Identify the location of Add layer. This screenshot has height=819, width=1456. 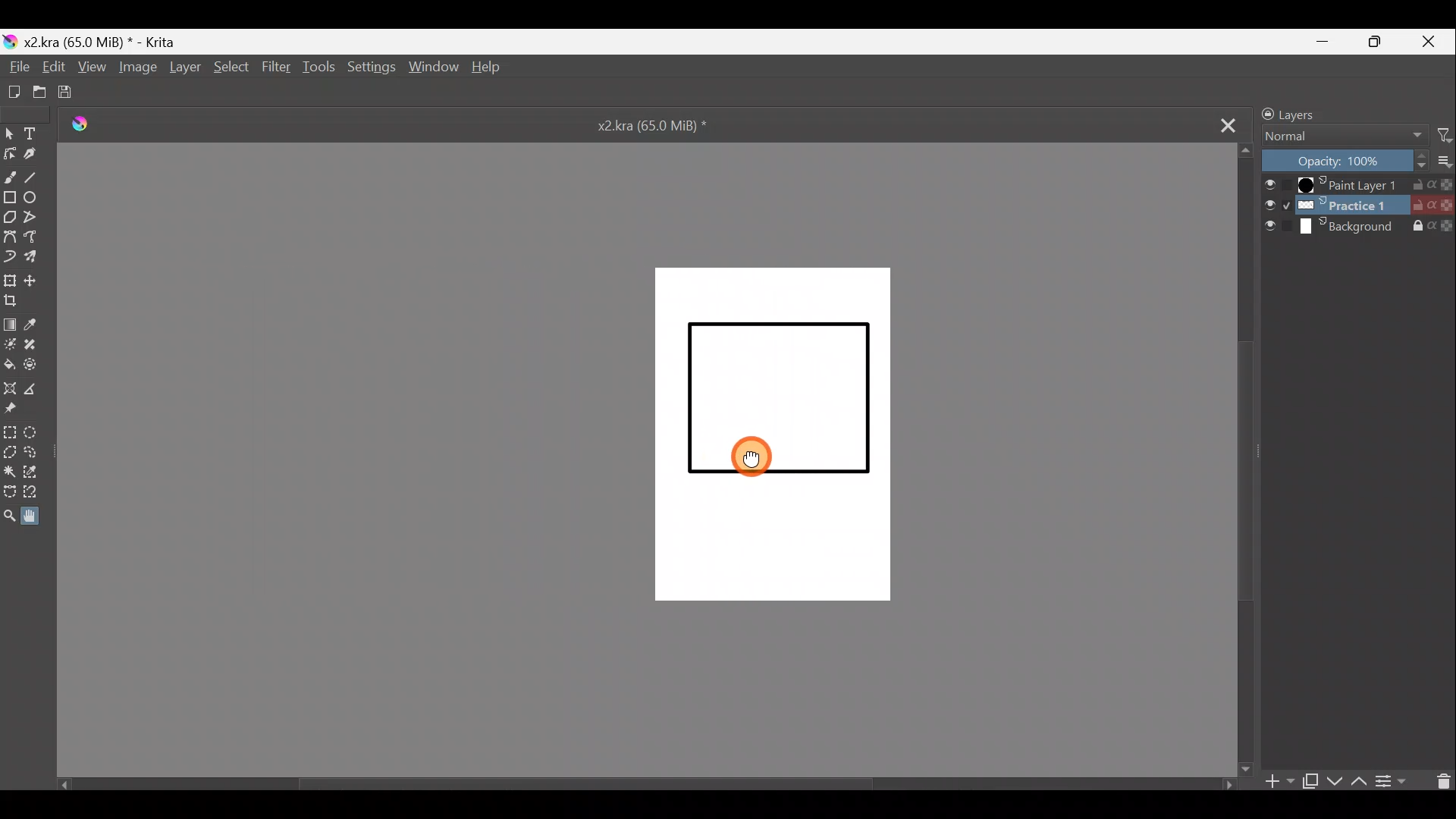
(1273, 781).